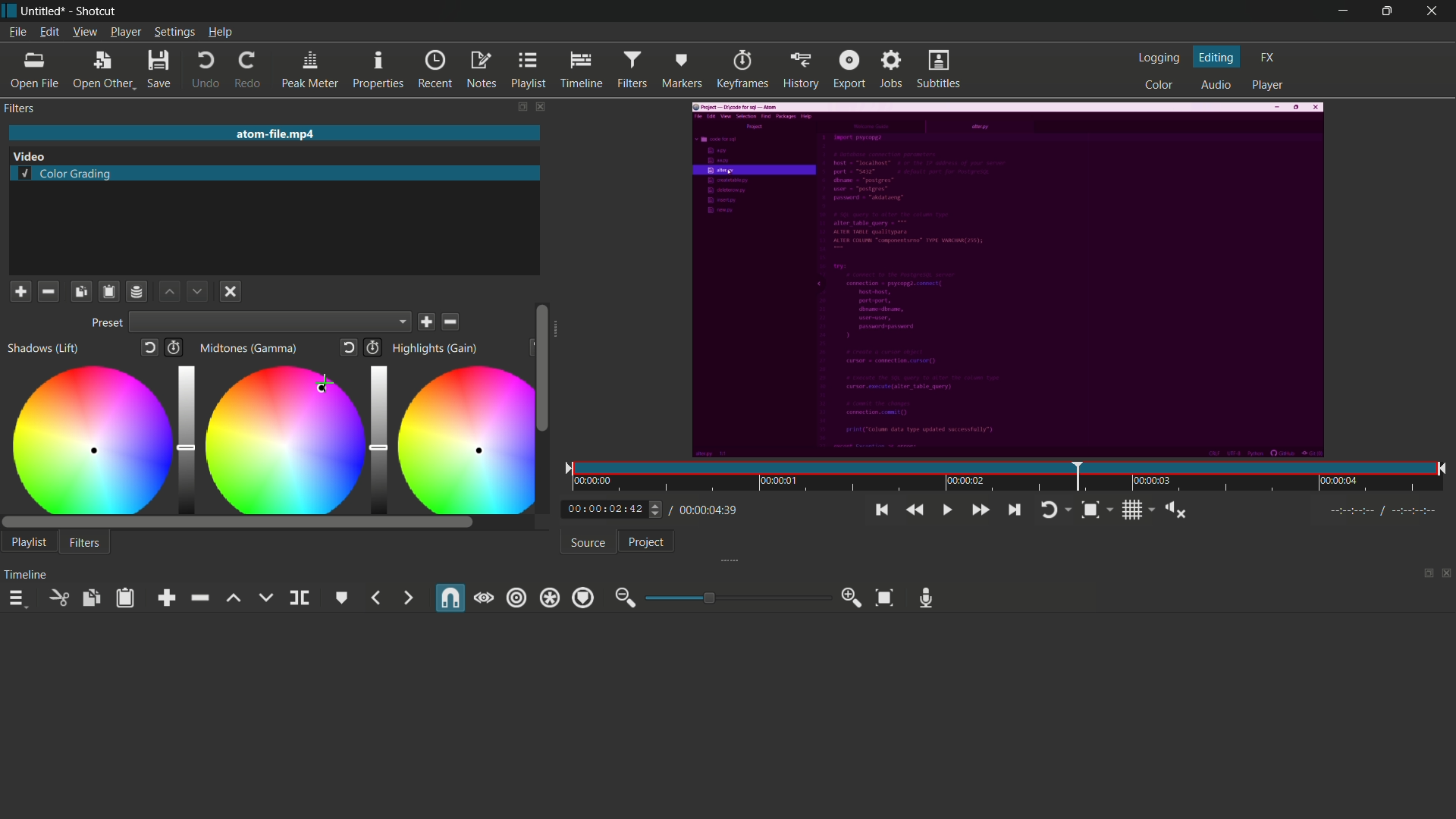 Image resolution: width=1456 pixels, height=819 pixels. I want to click on maximize, so click(1385, 11).